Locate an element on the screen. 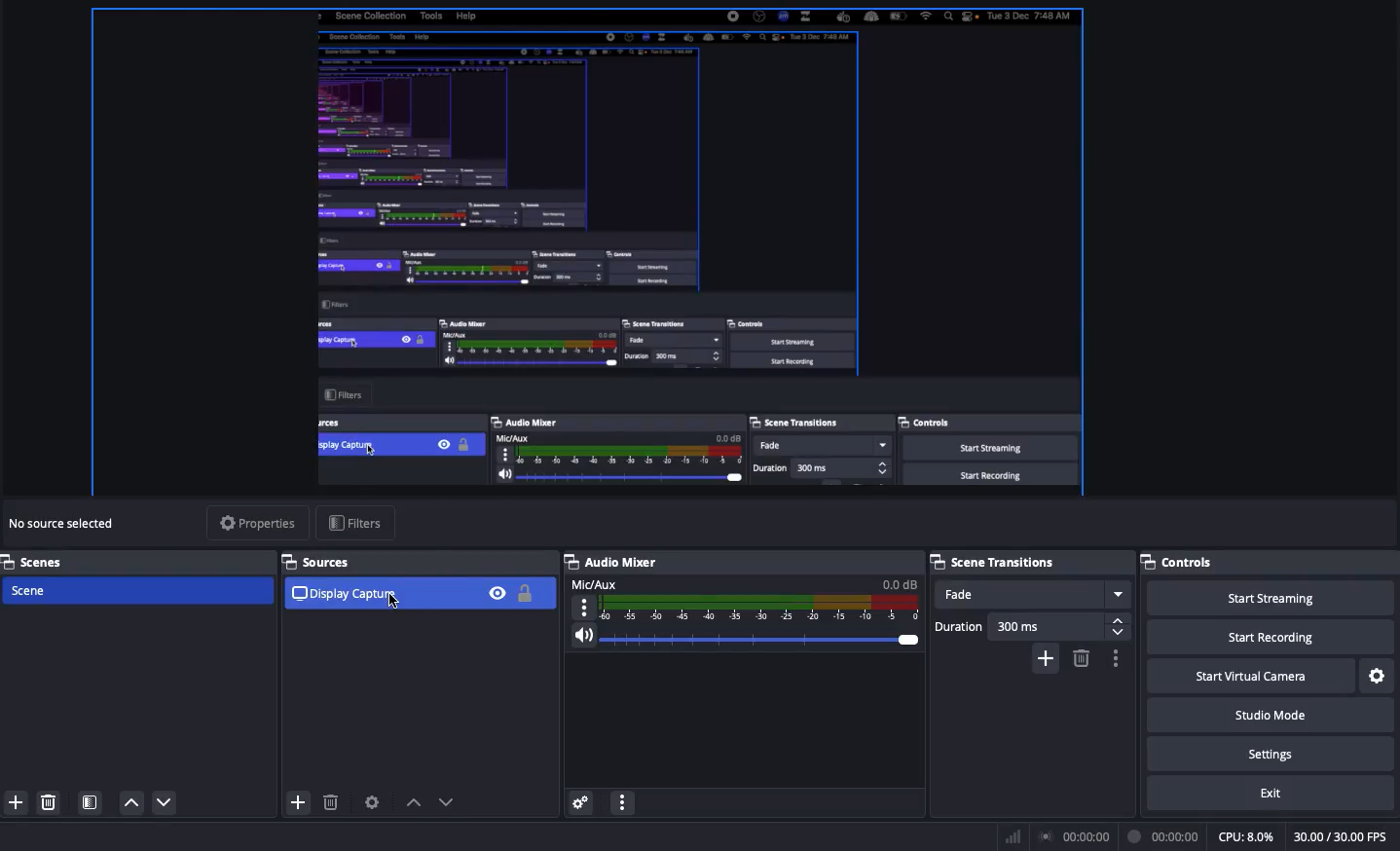 The image size is (1400, 851). Studio mode is located at coordinates (1270, 715).